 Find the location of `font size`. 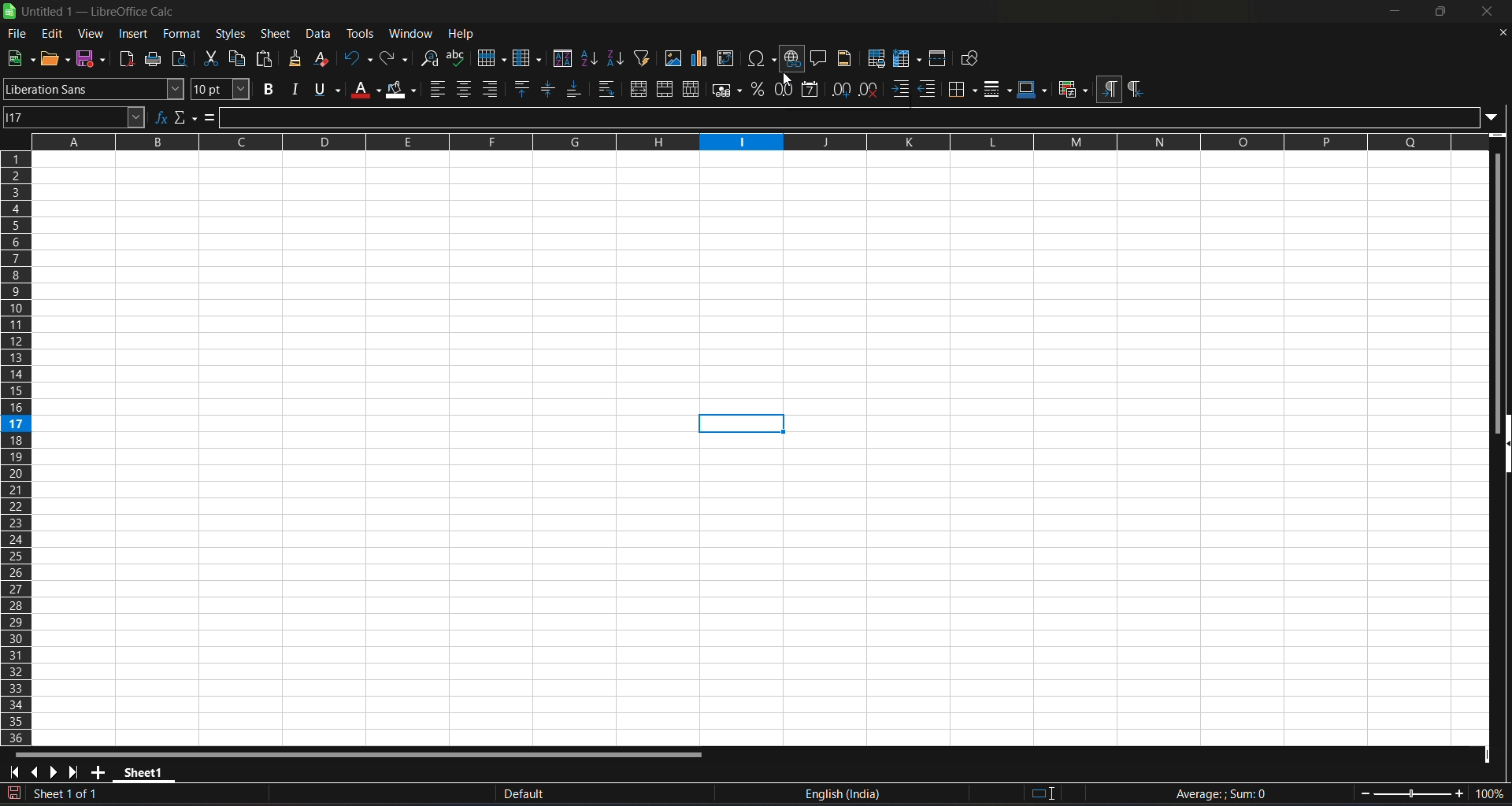

font size is located at coordinates (222, 89).